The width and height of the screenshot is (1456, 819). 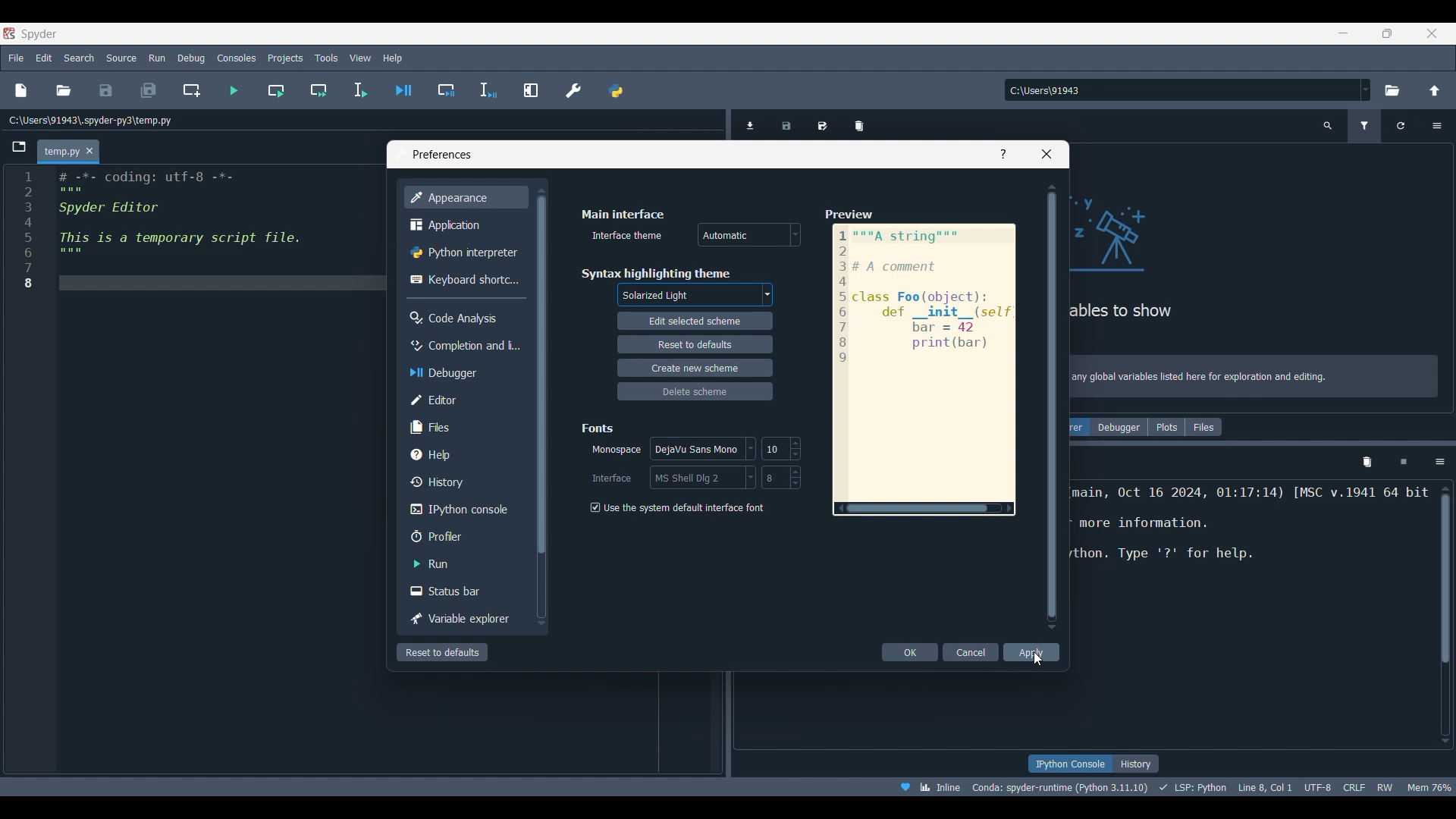 I want to click on Profiler, so click(x=463, y=536).